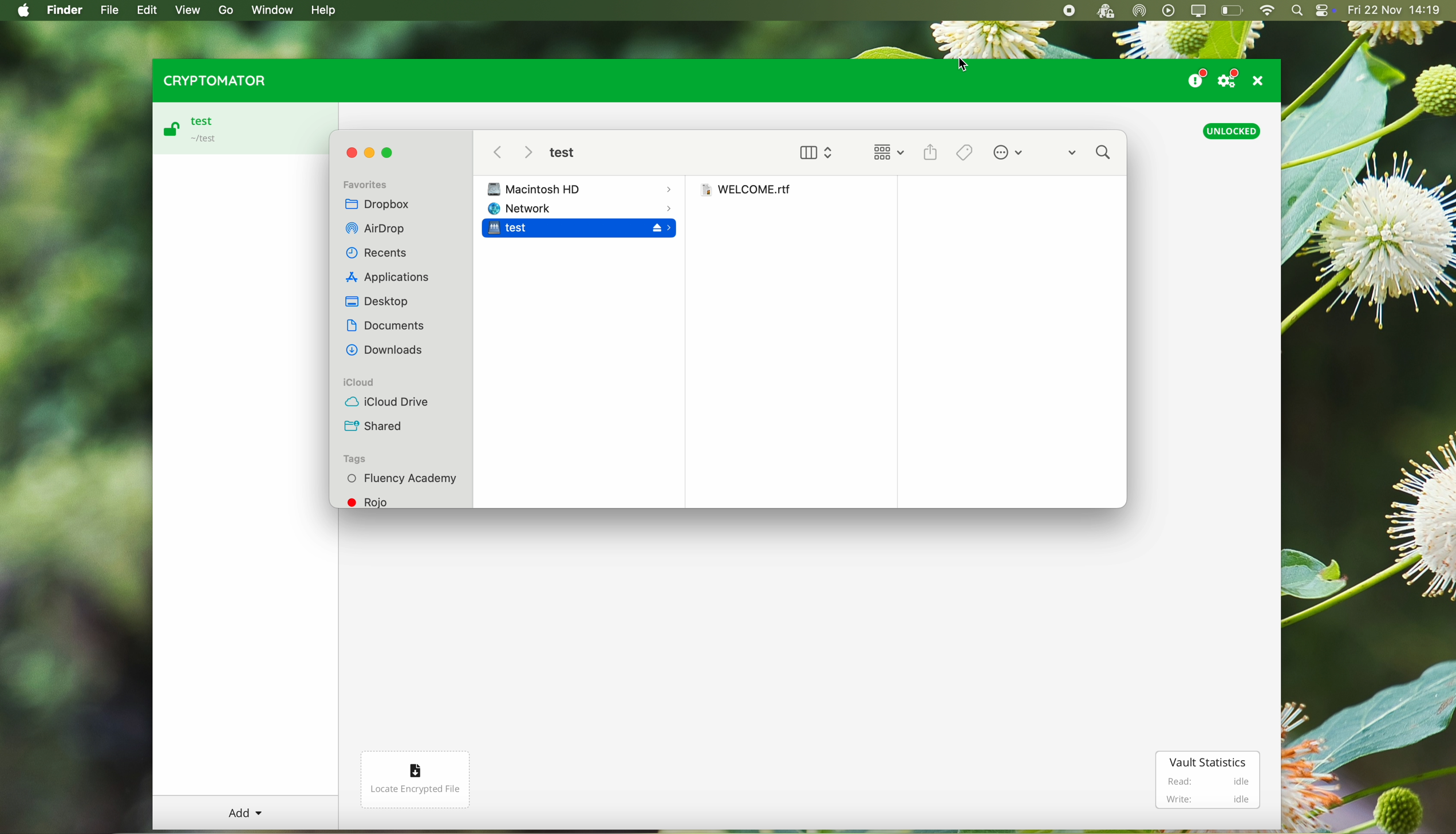  What do you see at coordinates (1233, 11) in the screenshot?
I see `battery` at bounding box center [1233, 11].